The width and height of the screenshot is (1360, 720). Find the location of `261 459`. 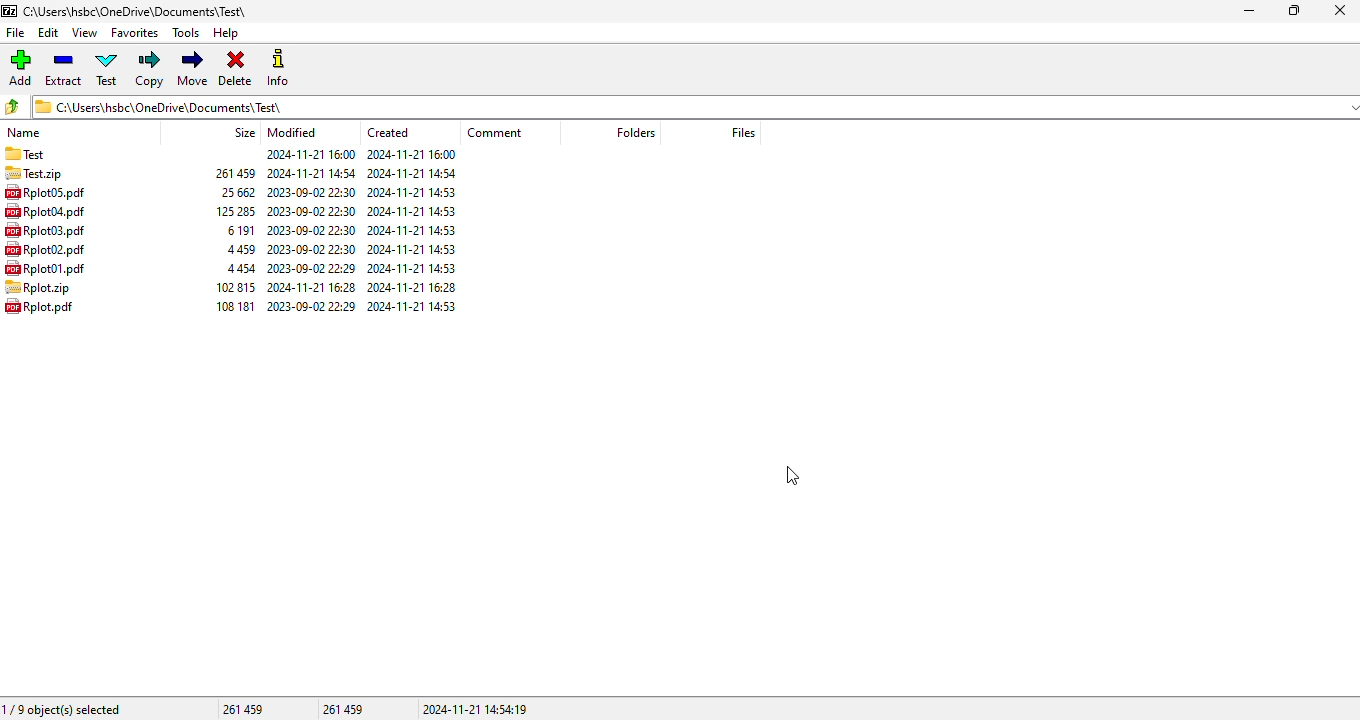

261 459 is located at coordinates (243, 709).